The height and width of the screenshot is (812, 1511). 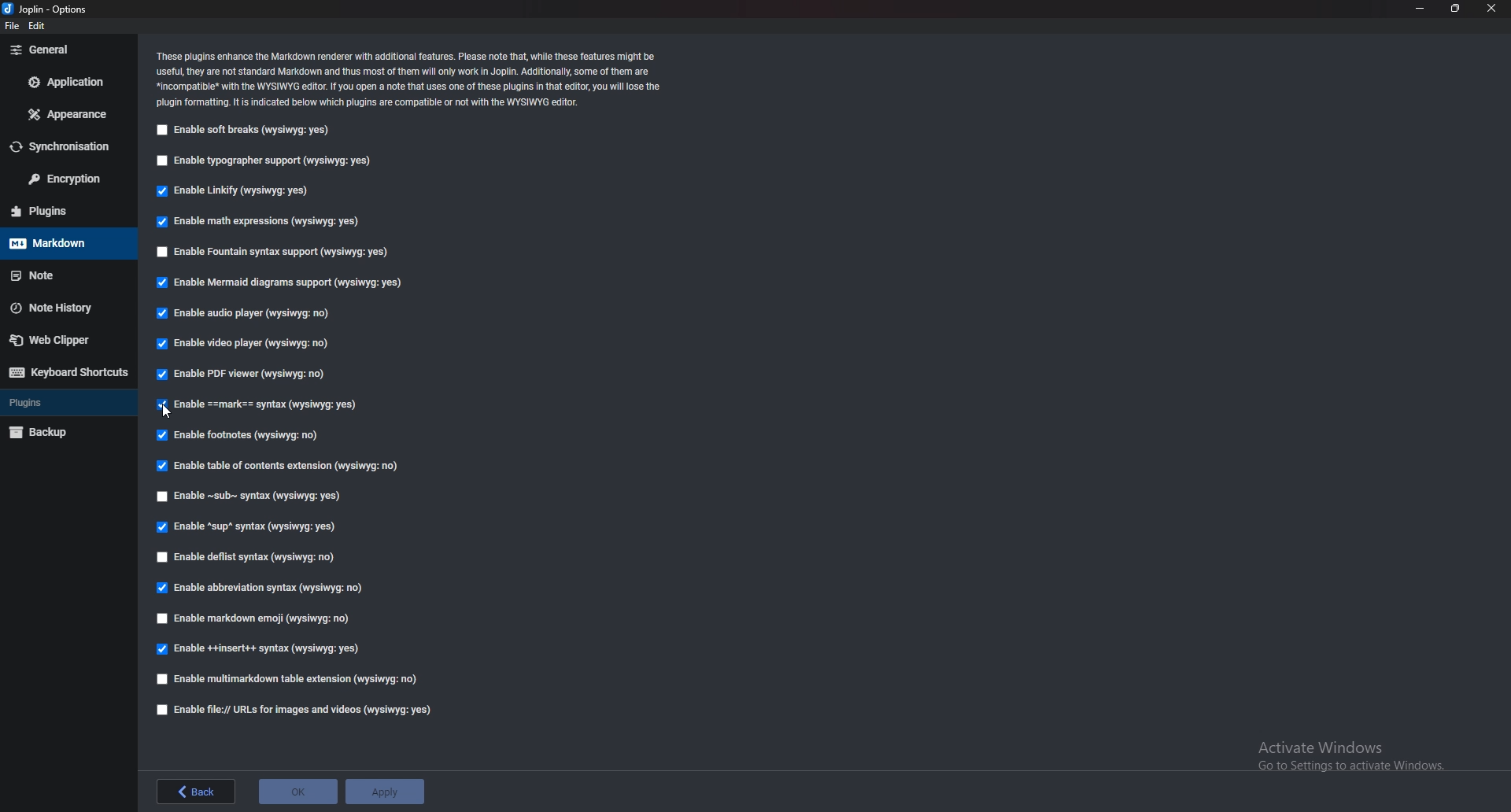 I want to click on Application, so click(x=65, y=83).